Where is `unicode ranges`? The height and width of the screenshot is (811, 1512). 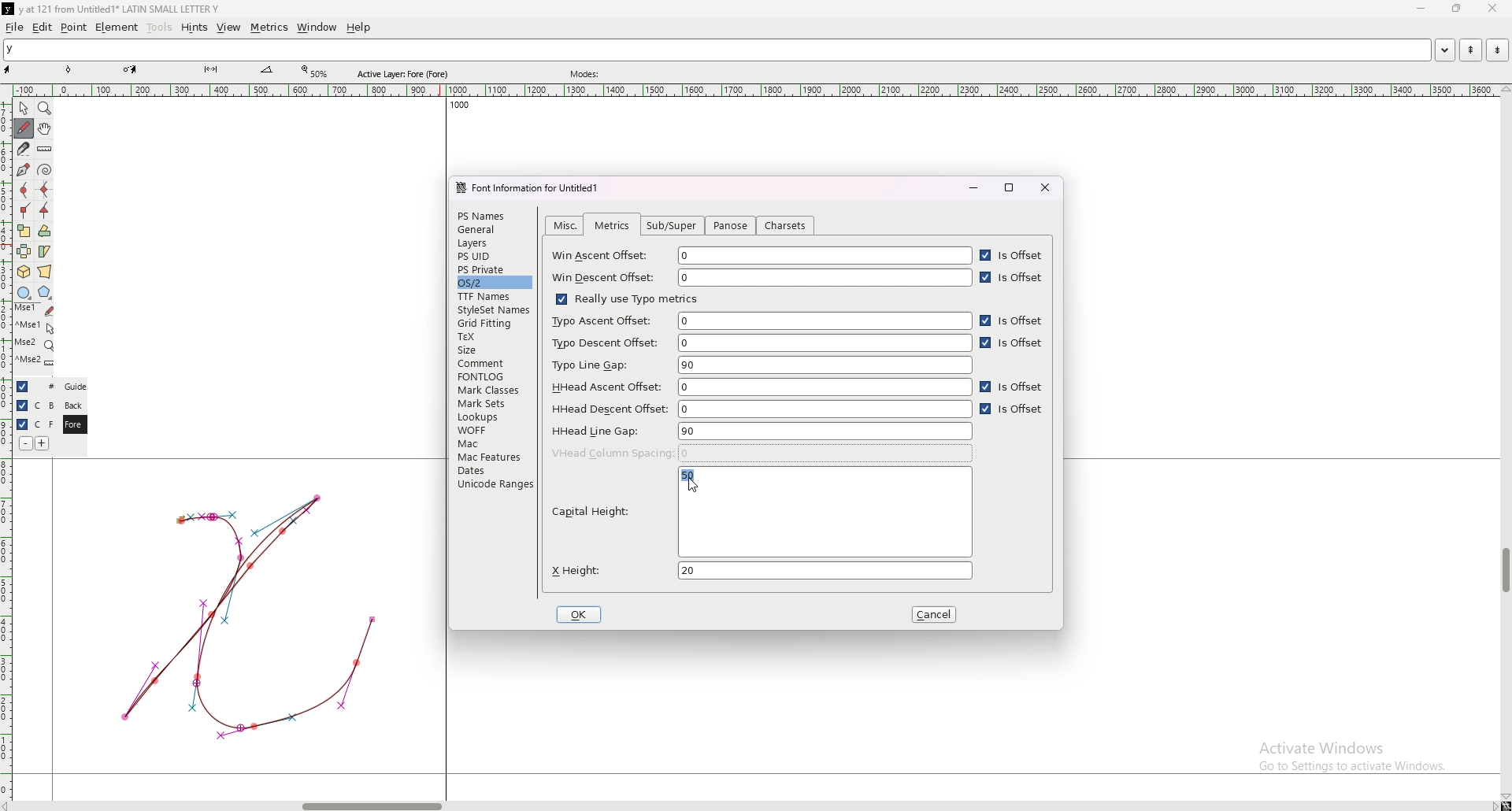
unicode ranges is located at coordinates (494, 483).